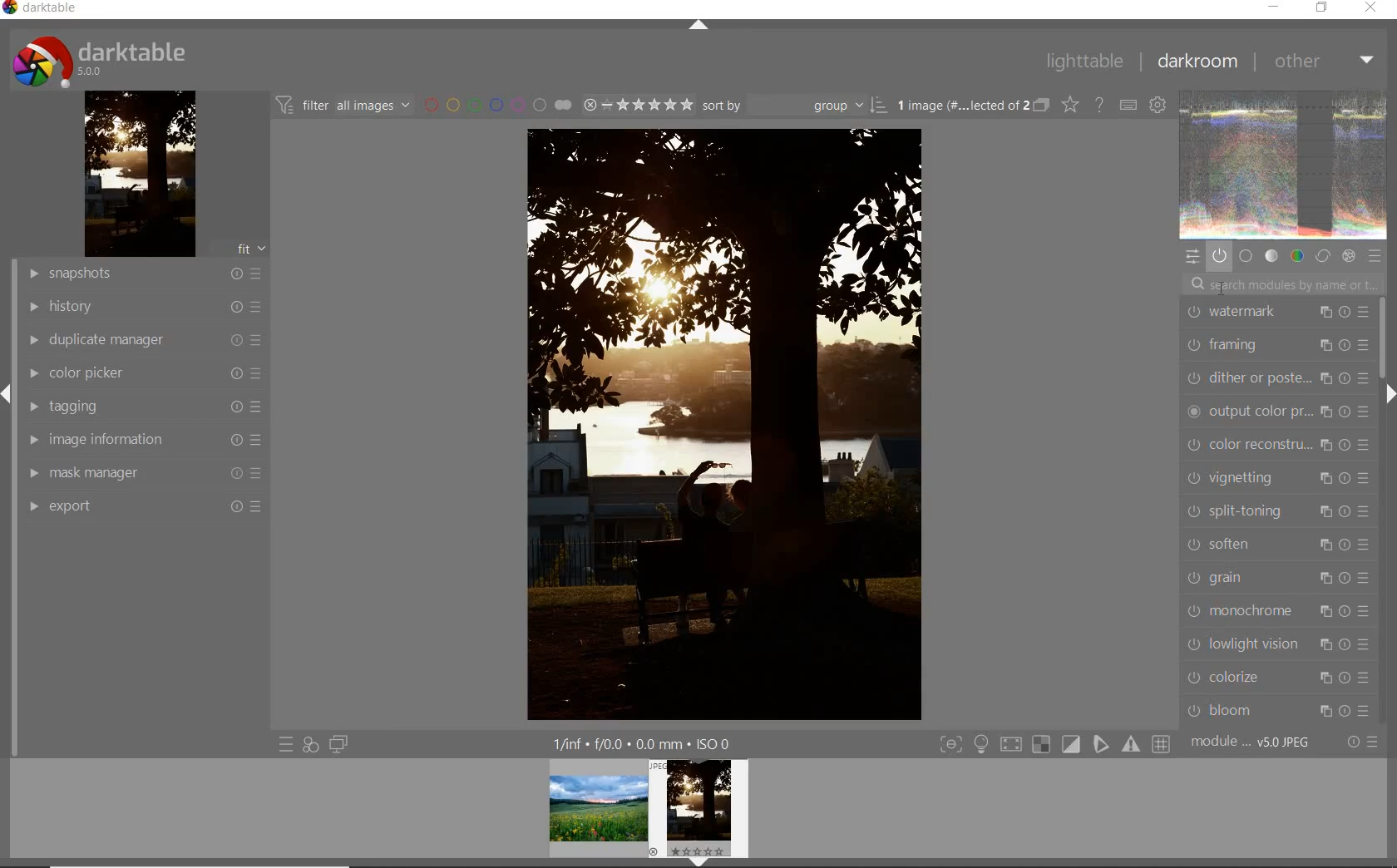  Describe the element at coordinates (648, 742) in the screenshot. I see `1/fnf f/0.0 0.0 mm ISO 0` at that location.